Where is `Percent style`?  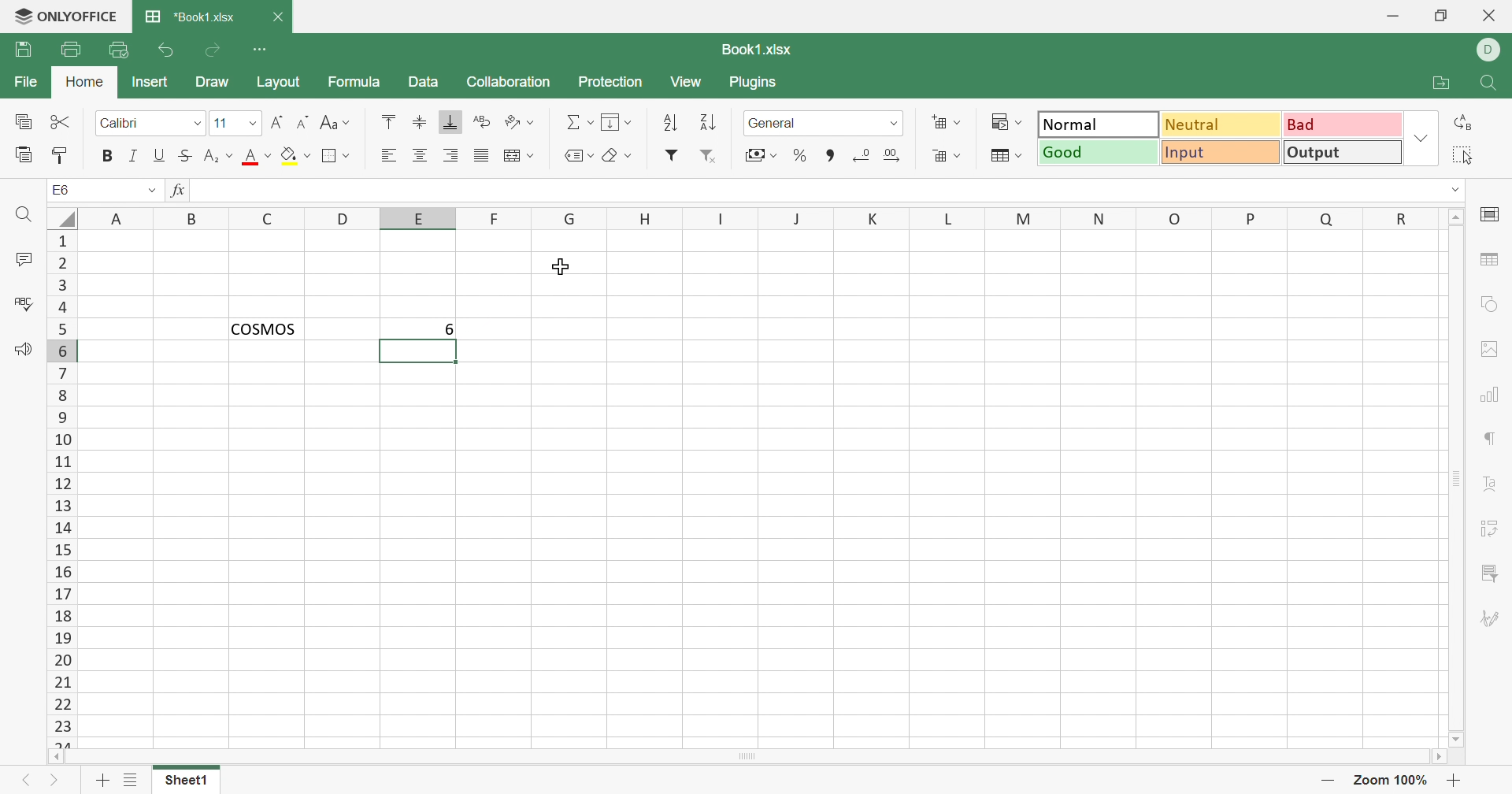
Percent style is located at coordinates (801, 156).